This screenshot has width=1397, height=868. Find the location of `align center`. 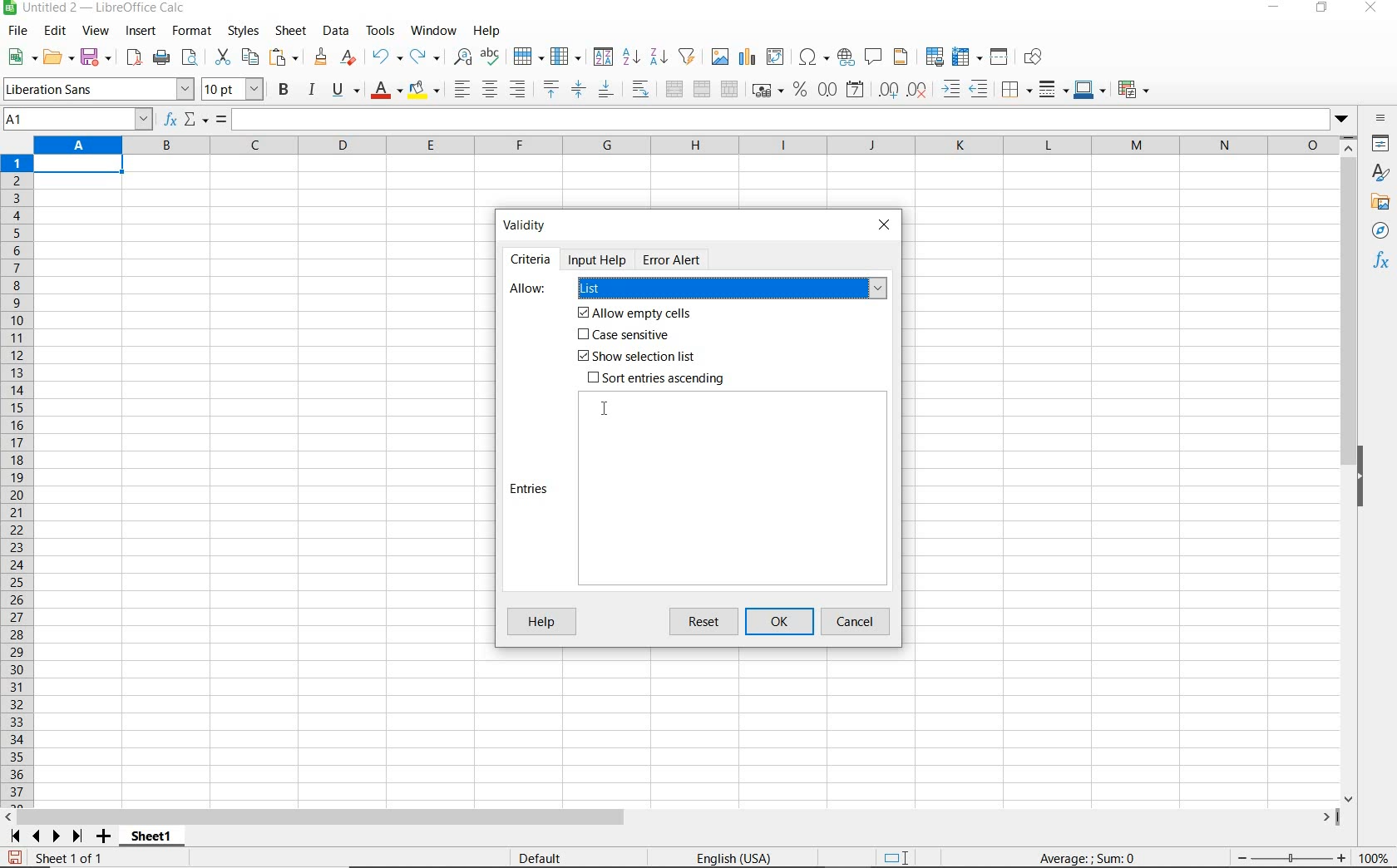

align center is located at coordinates (490, 90).